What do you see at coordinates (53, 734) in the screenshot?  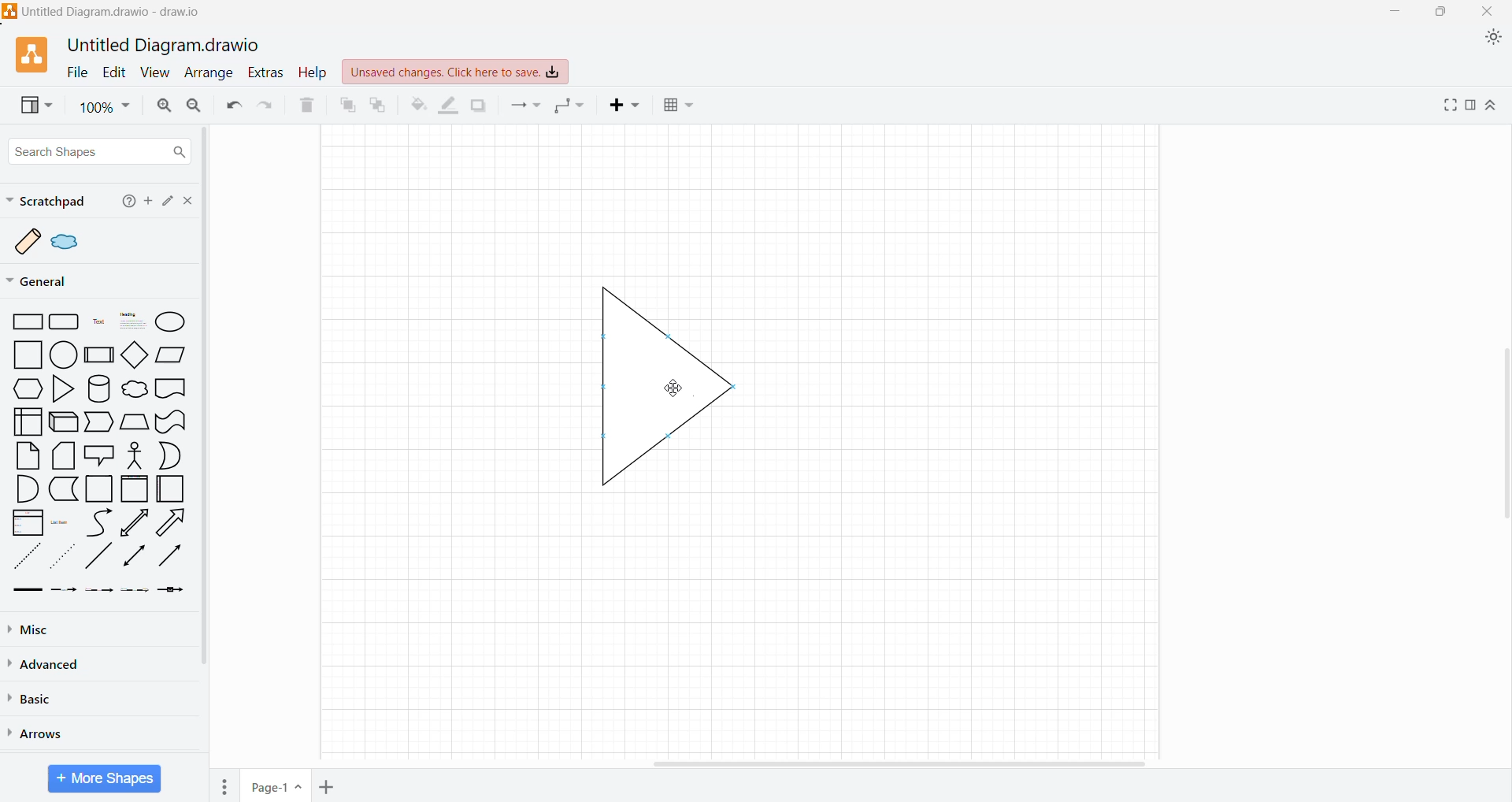 I see `Arrows` at bounding box center [53, 734].